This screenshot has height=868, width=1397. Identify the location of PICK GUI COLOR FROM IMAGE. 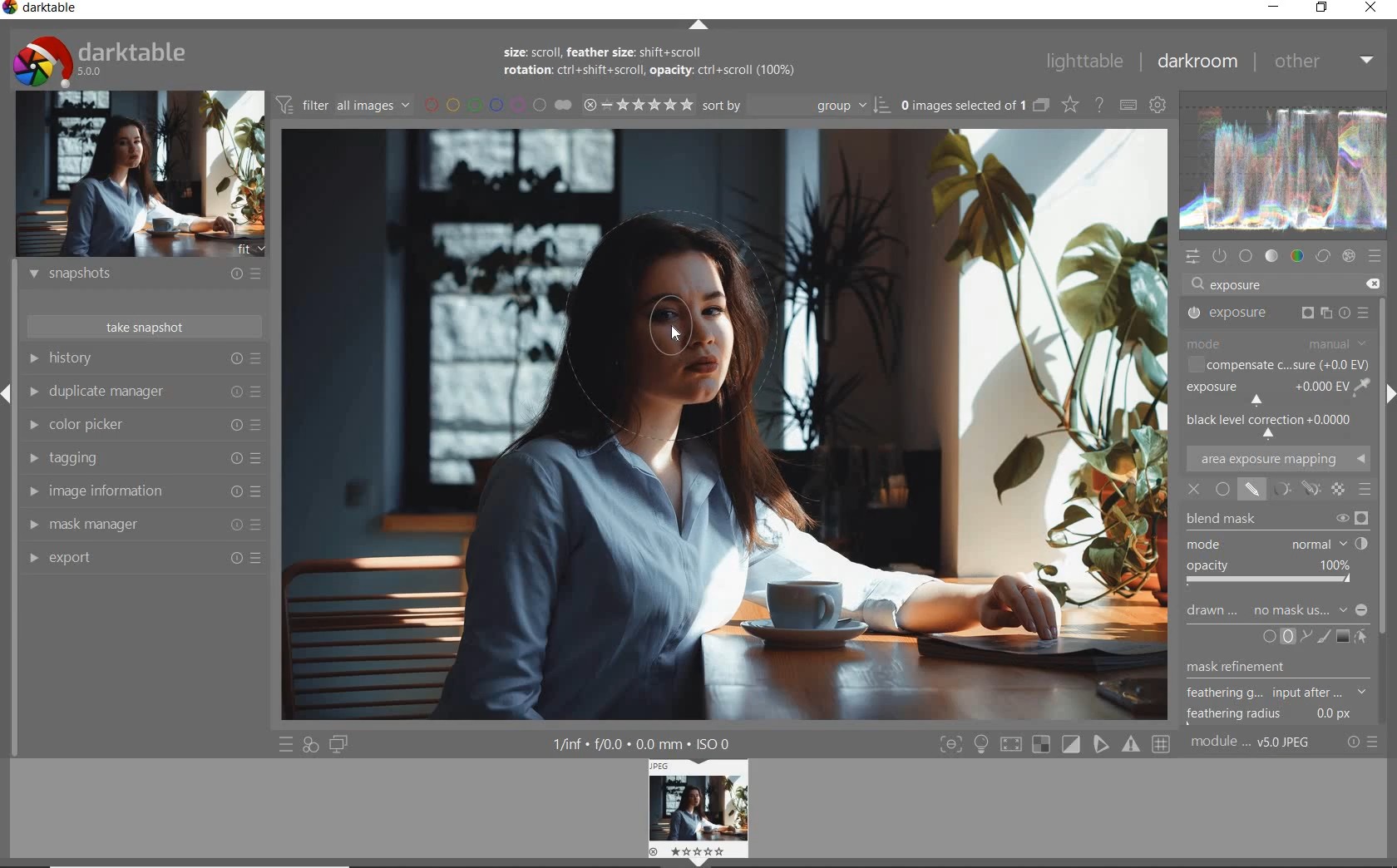
(1364, 387).